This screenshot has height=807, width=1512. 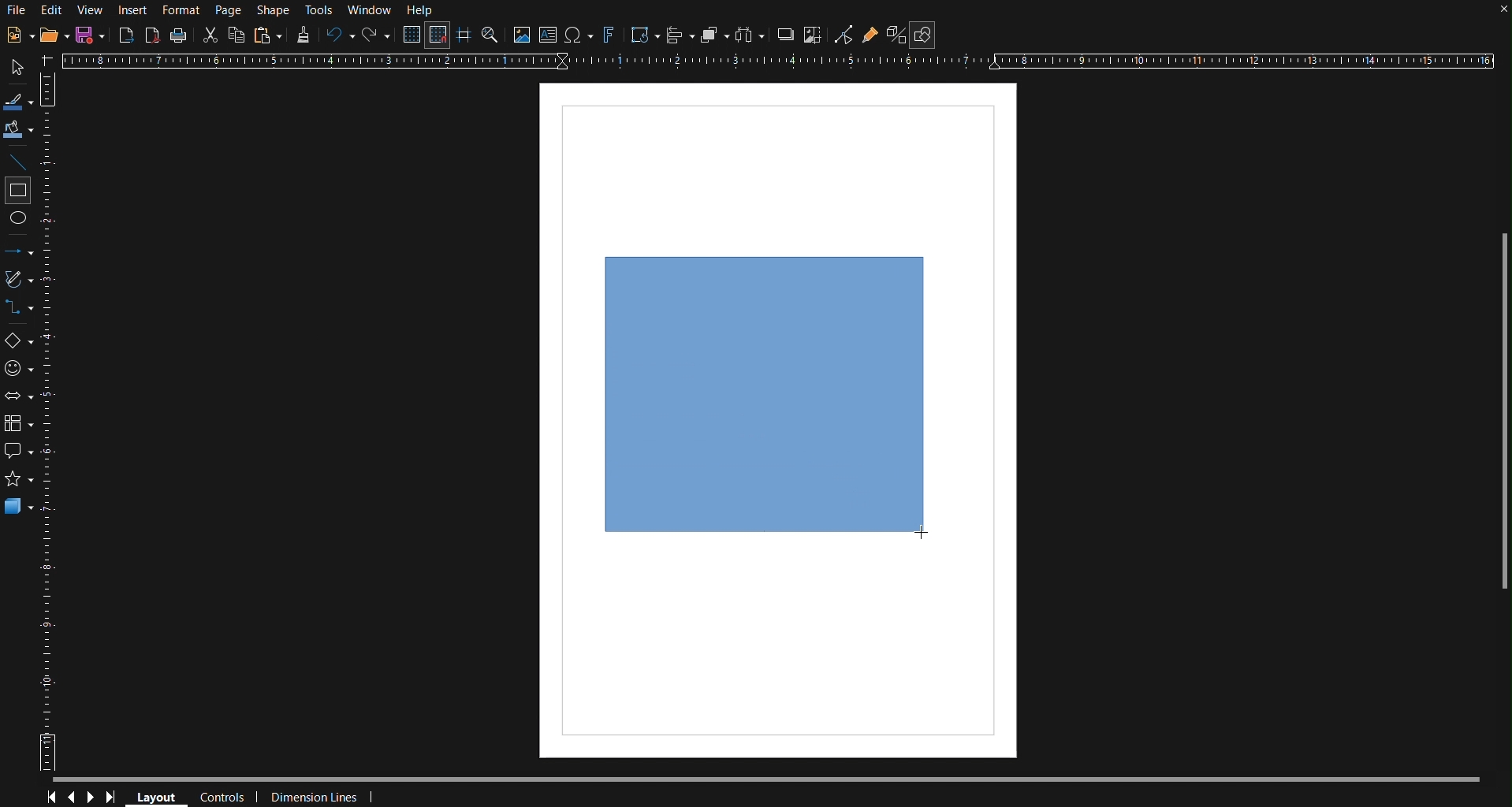 I want to click on Dimension Lines, so click(x=327, y=797).